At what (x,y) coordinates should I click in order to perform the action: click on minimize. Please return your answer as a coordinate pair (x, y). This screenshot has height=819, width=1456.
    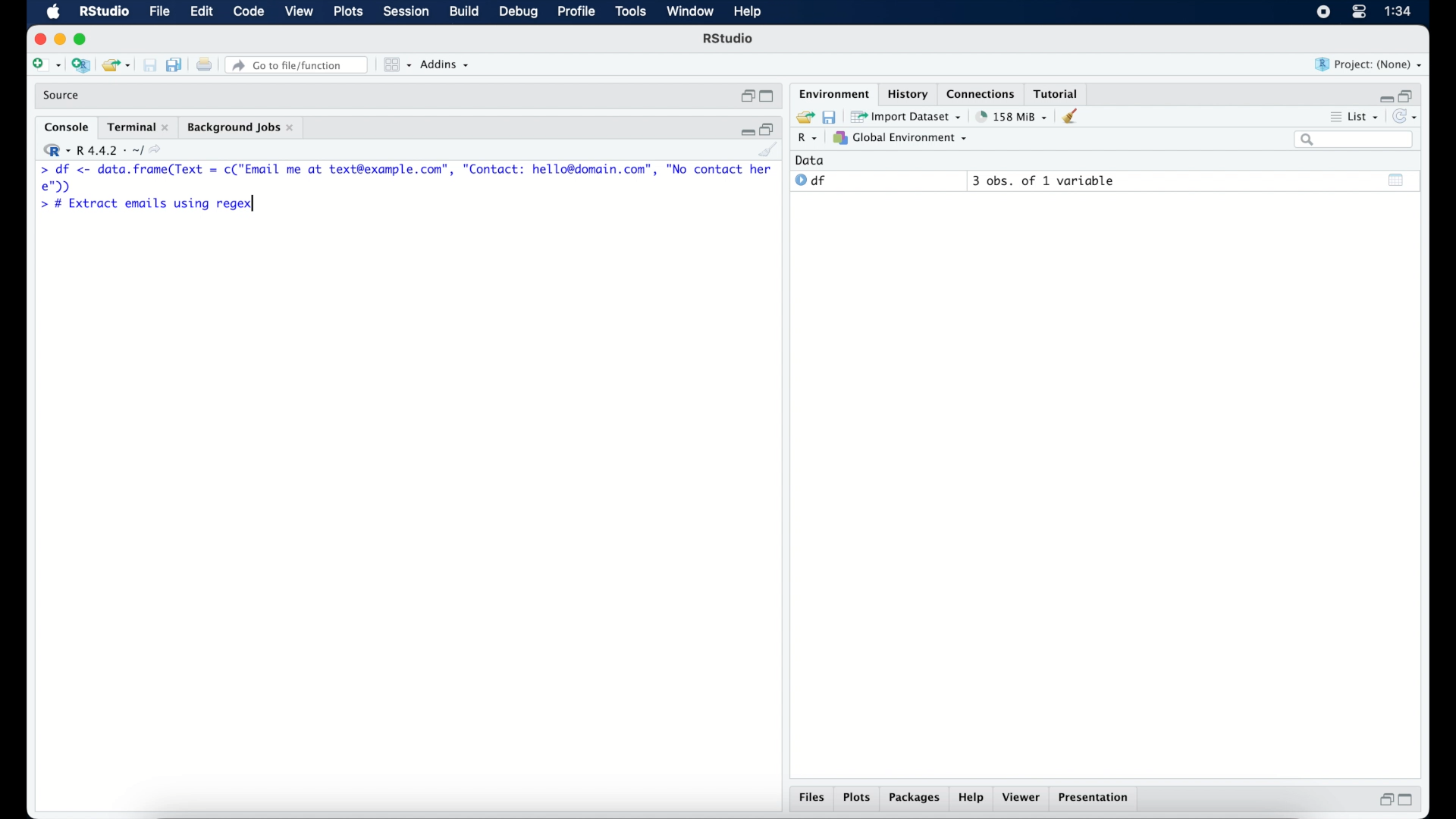
    Looking at the image, I should click on (59, 40).